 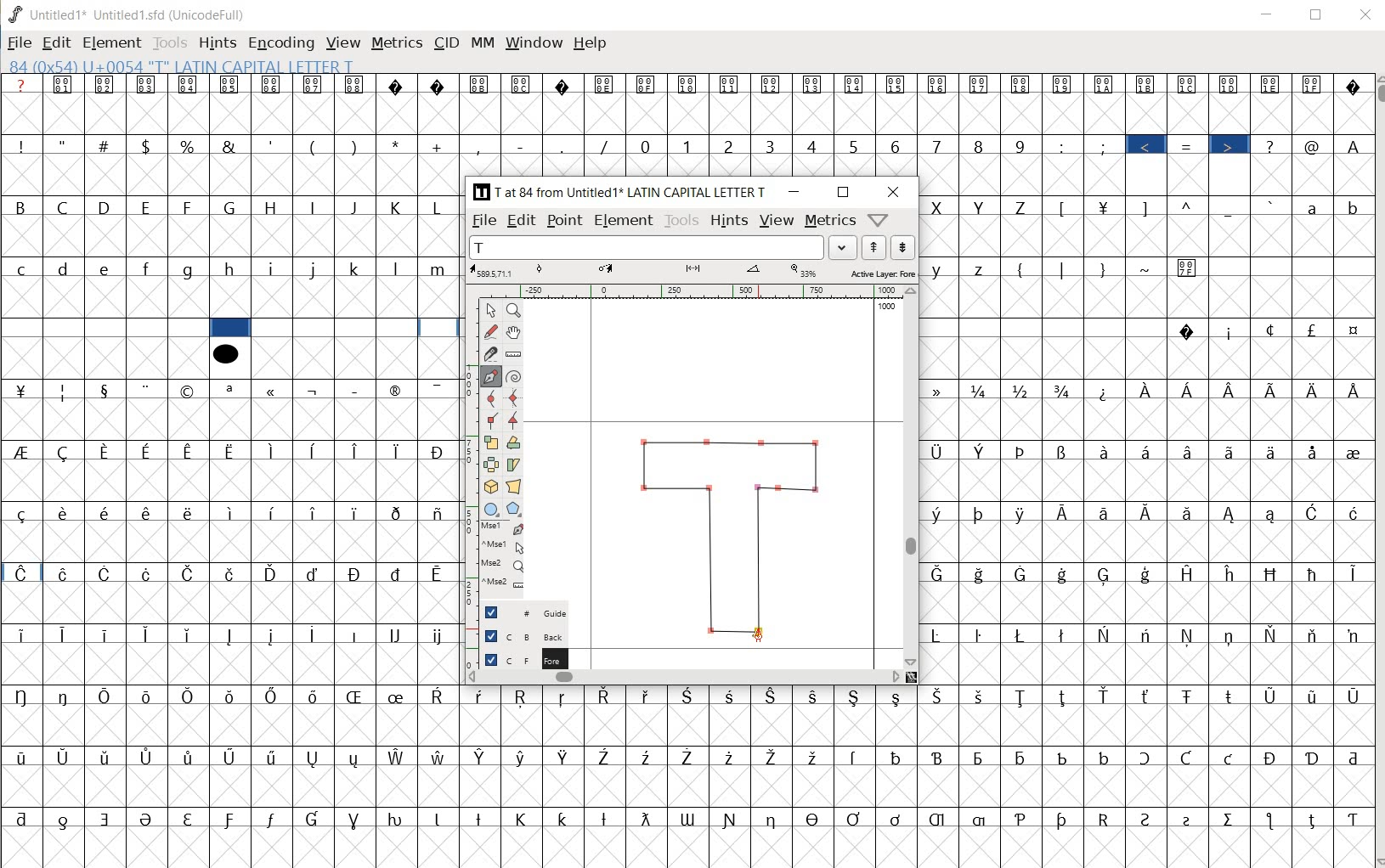 What do you see at coordinates (524, 657) in the screenshot?
I see `foreground layer` at bounding box center [524, 657].